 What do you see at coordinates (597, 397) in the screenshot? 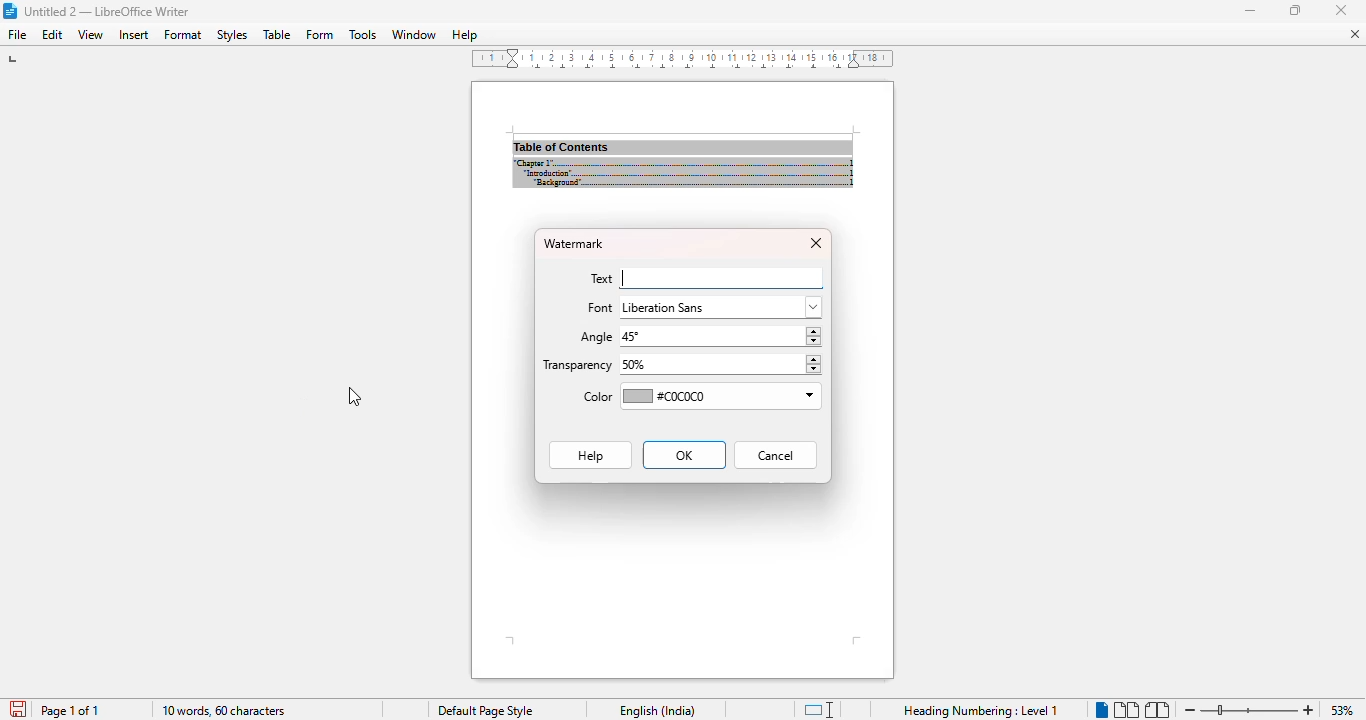
I see `color` at bounding box center [597, 397].